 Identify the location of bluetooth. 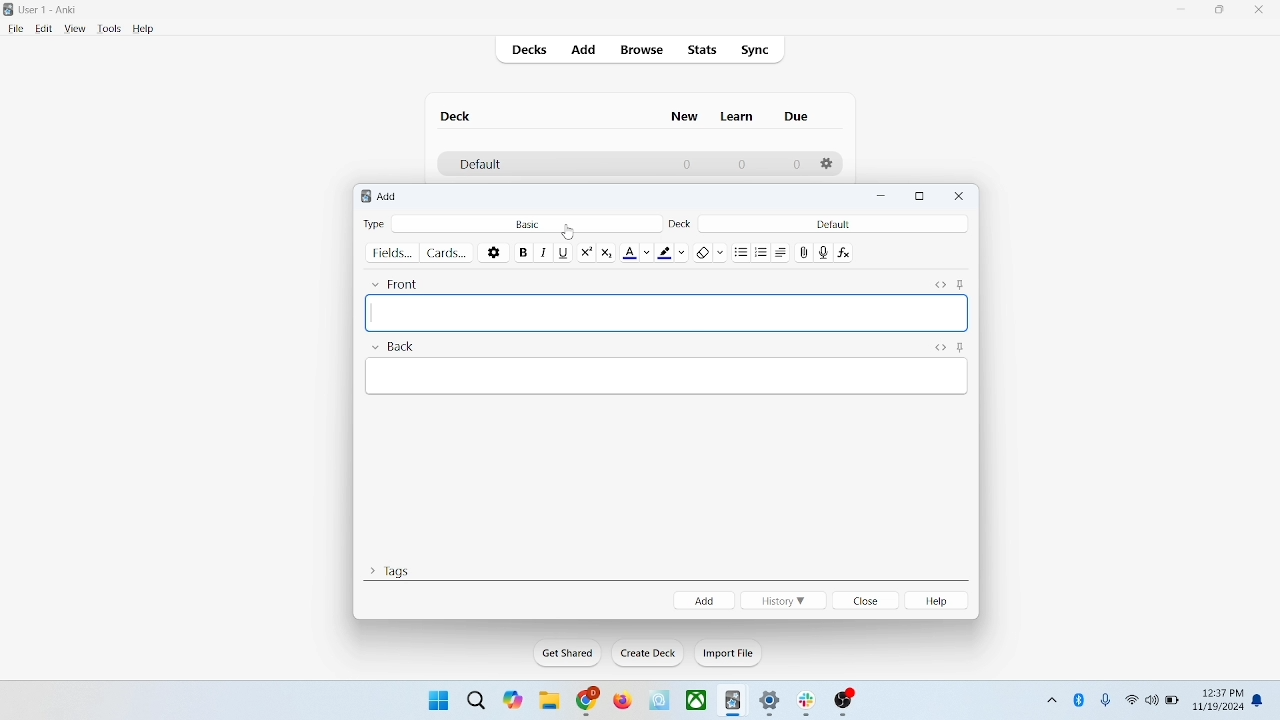
(1080, 699).